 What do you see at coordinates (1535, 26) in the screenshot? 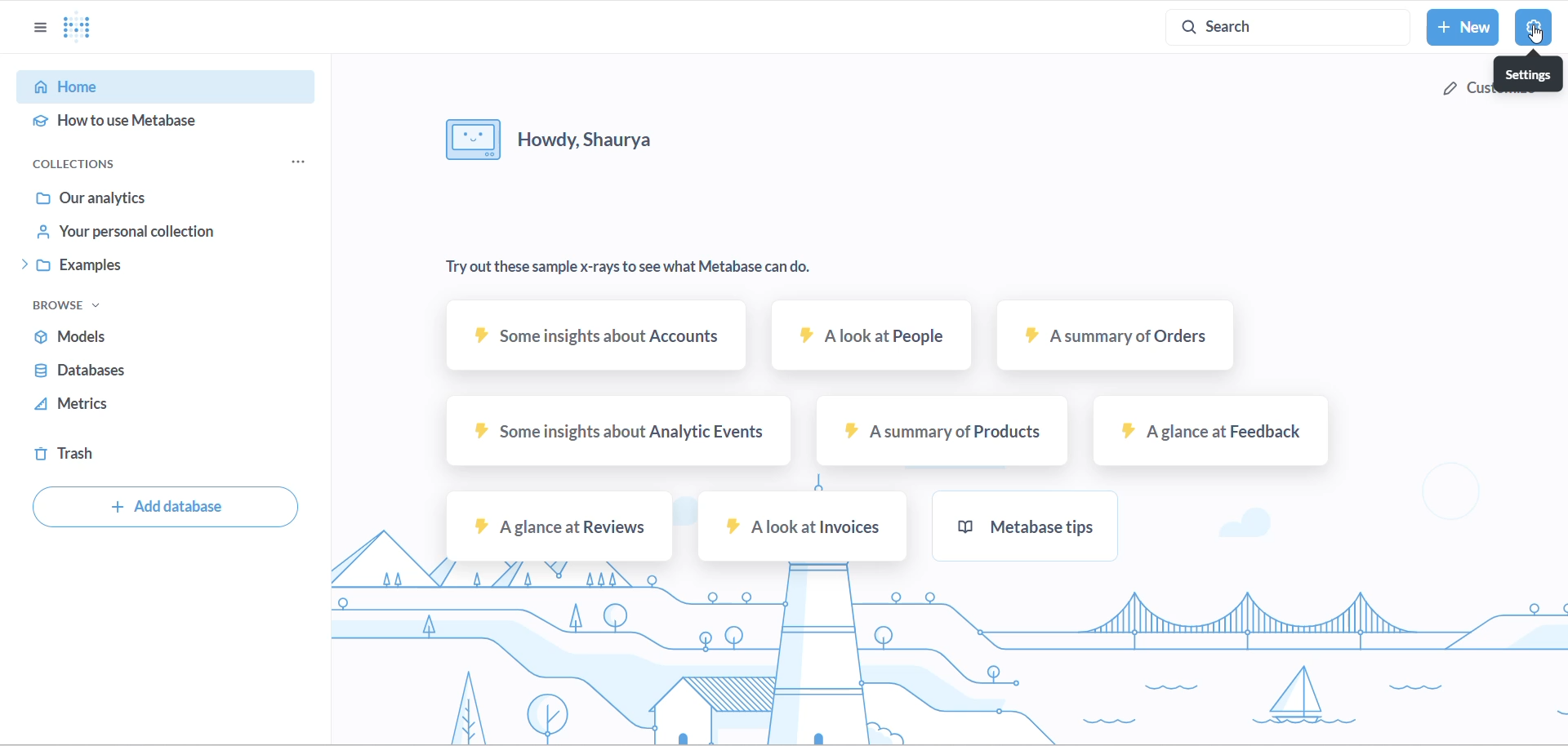
I see `settings` at bounding box center [1535, 26].